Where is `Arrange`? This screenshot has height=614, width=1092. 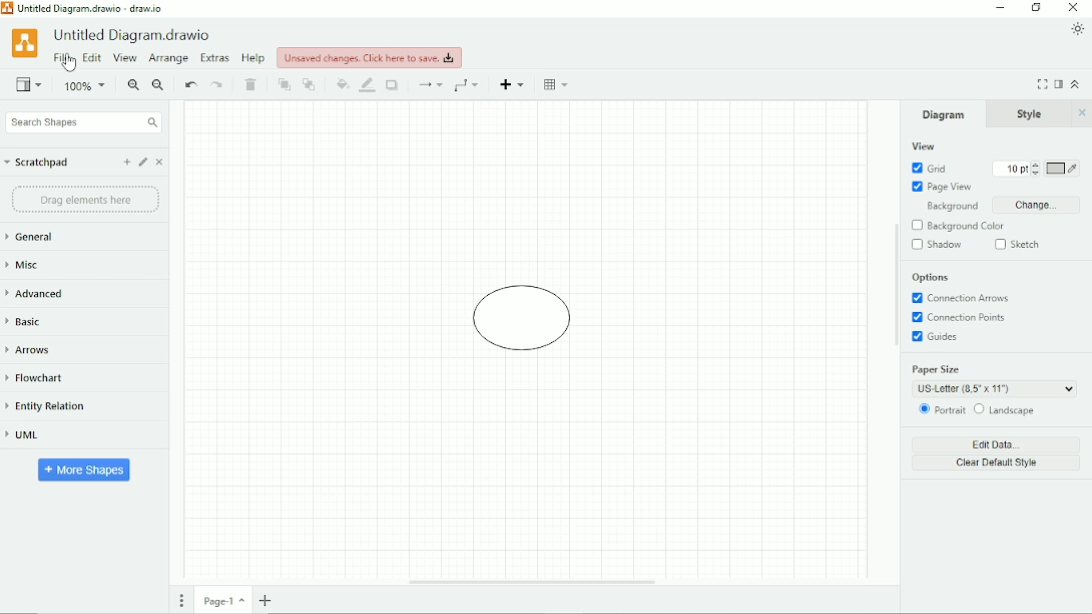
Arrange is located at coordinates (168, 59).